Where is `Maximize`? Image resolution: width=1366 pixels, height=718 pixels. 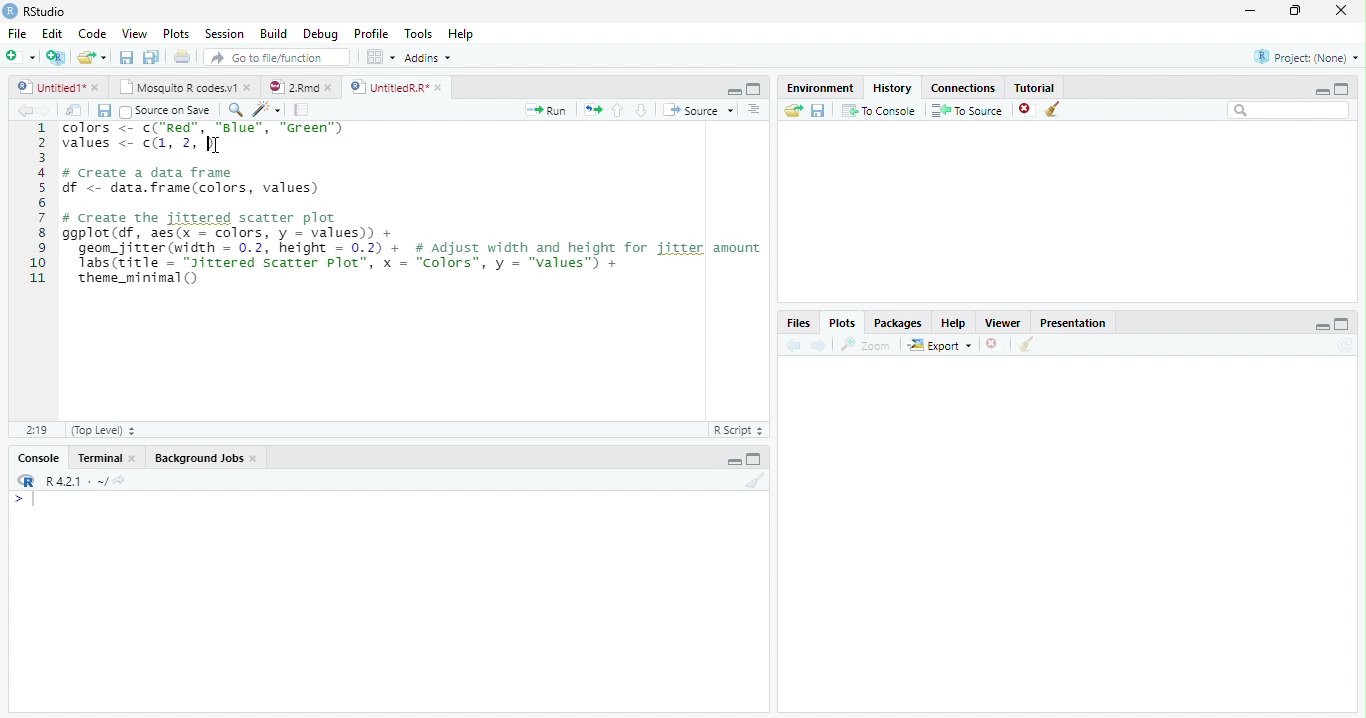 Maximize is located at coordinates (754, 458).